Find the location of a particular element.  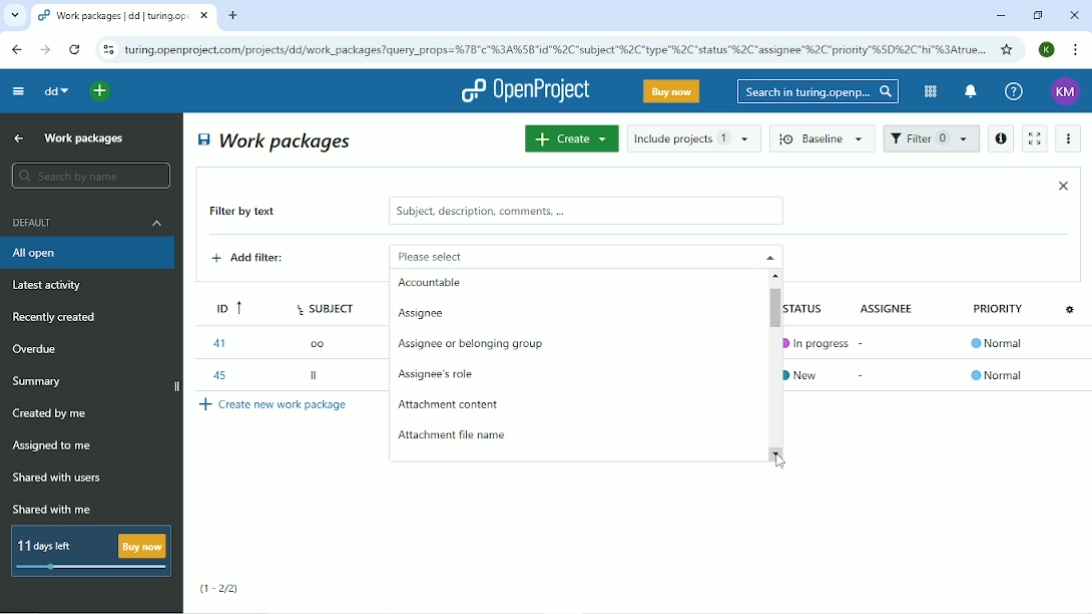

Search is located at coordinates (818, 91).